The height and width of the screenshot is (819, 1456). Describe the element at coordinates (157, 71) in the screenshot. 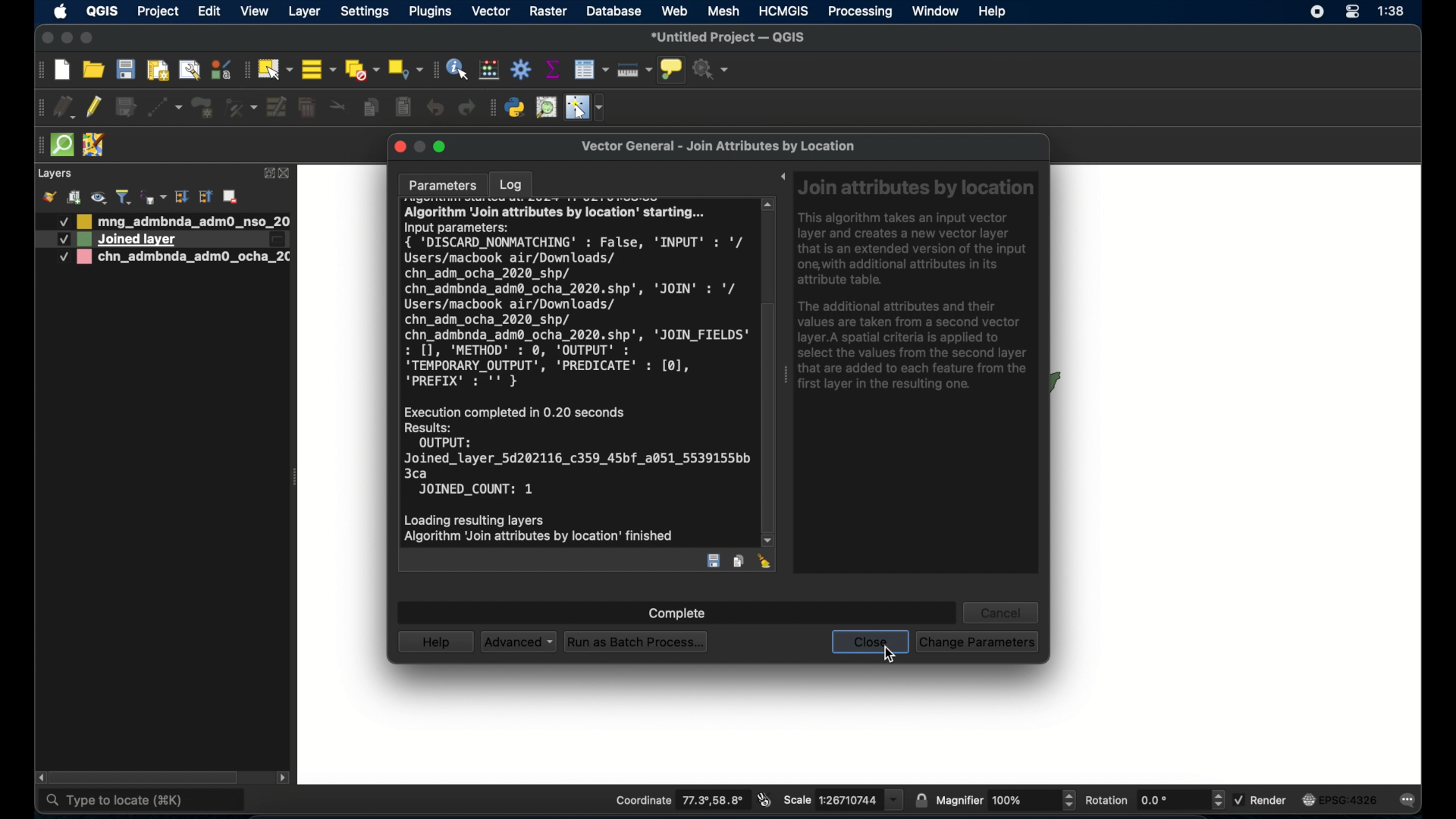

I see `print layout` at that location.